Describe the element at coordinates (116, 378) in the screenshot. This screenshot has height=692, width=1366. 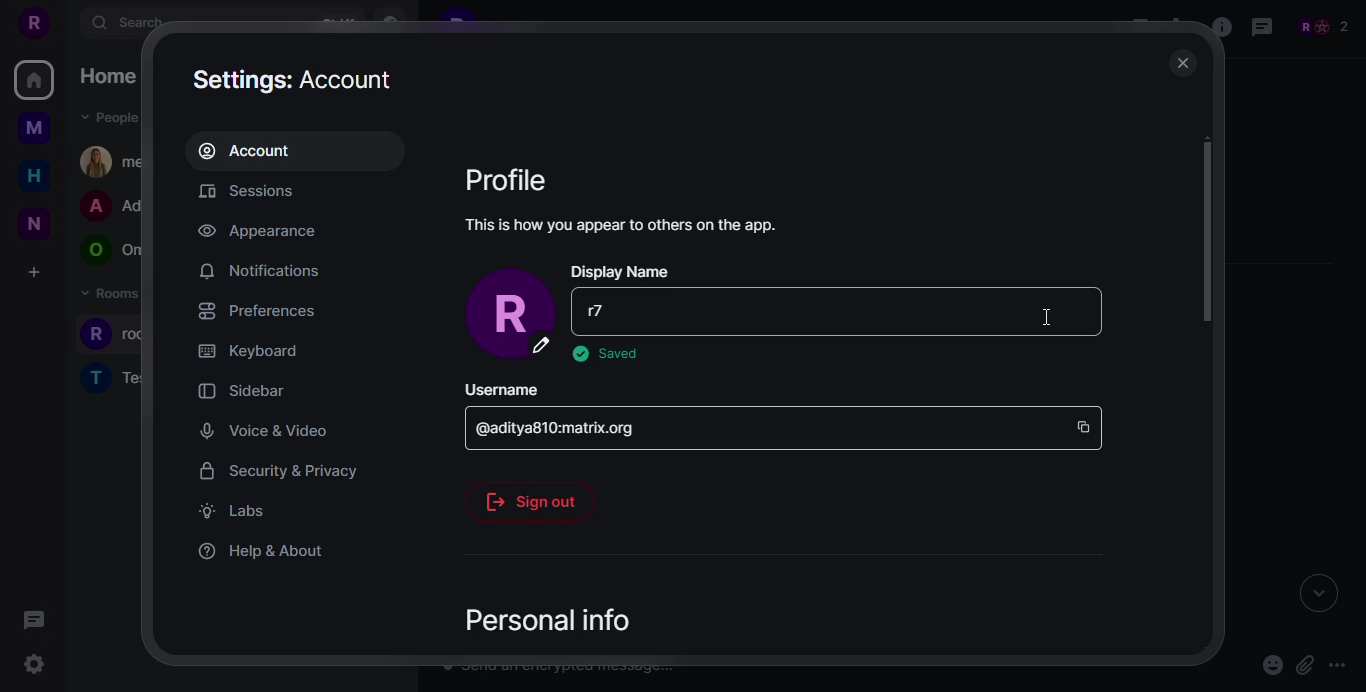
I see `rooms` at that location.